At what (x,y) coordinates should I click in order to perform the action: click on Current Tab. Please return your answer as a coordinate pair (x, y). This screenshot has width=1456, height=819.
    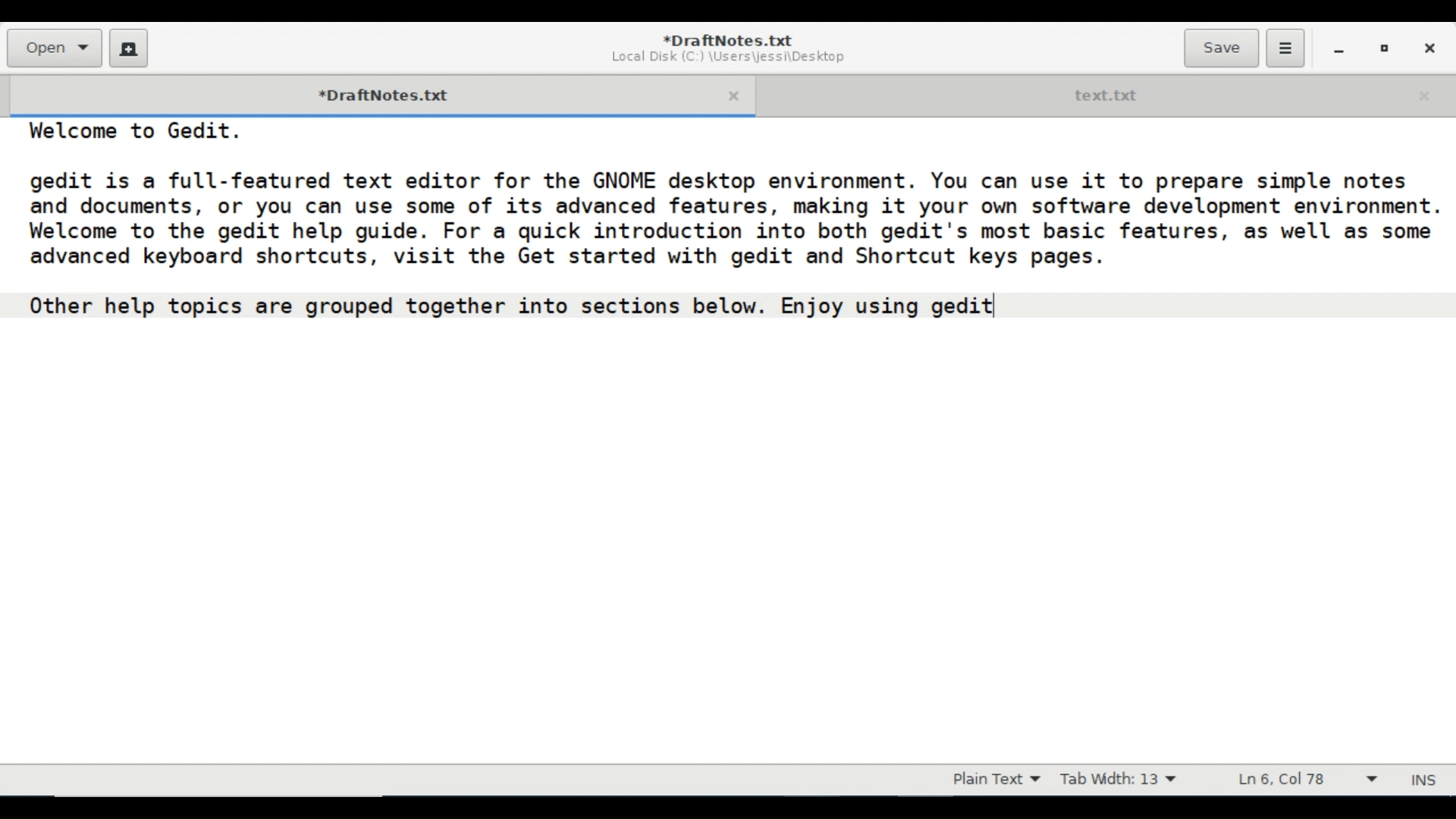
    Looking at the image, I should click on (372, 93).